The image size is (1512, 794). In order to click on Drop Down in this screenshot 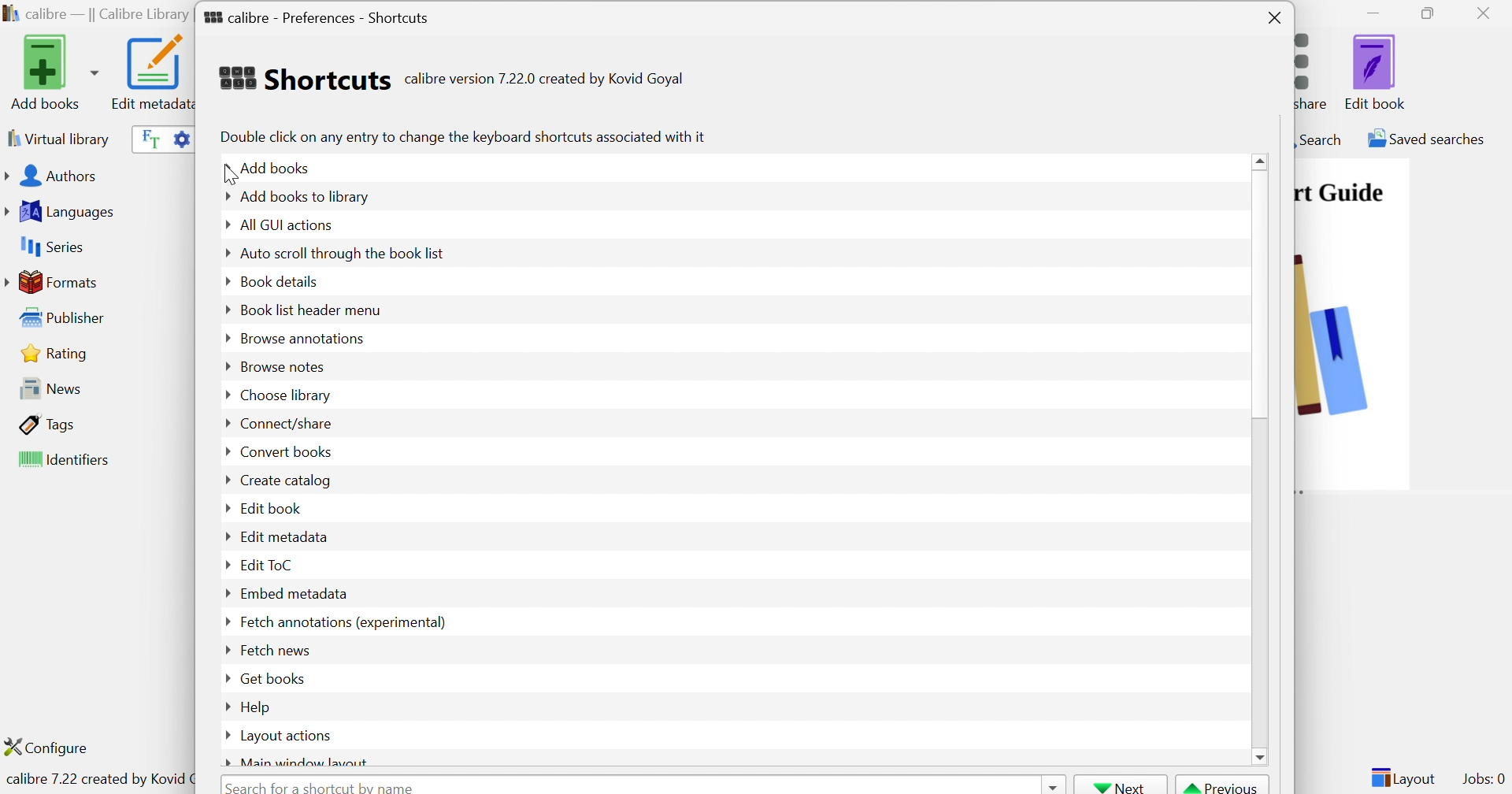, I will do `click(226, 762)`.